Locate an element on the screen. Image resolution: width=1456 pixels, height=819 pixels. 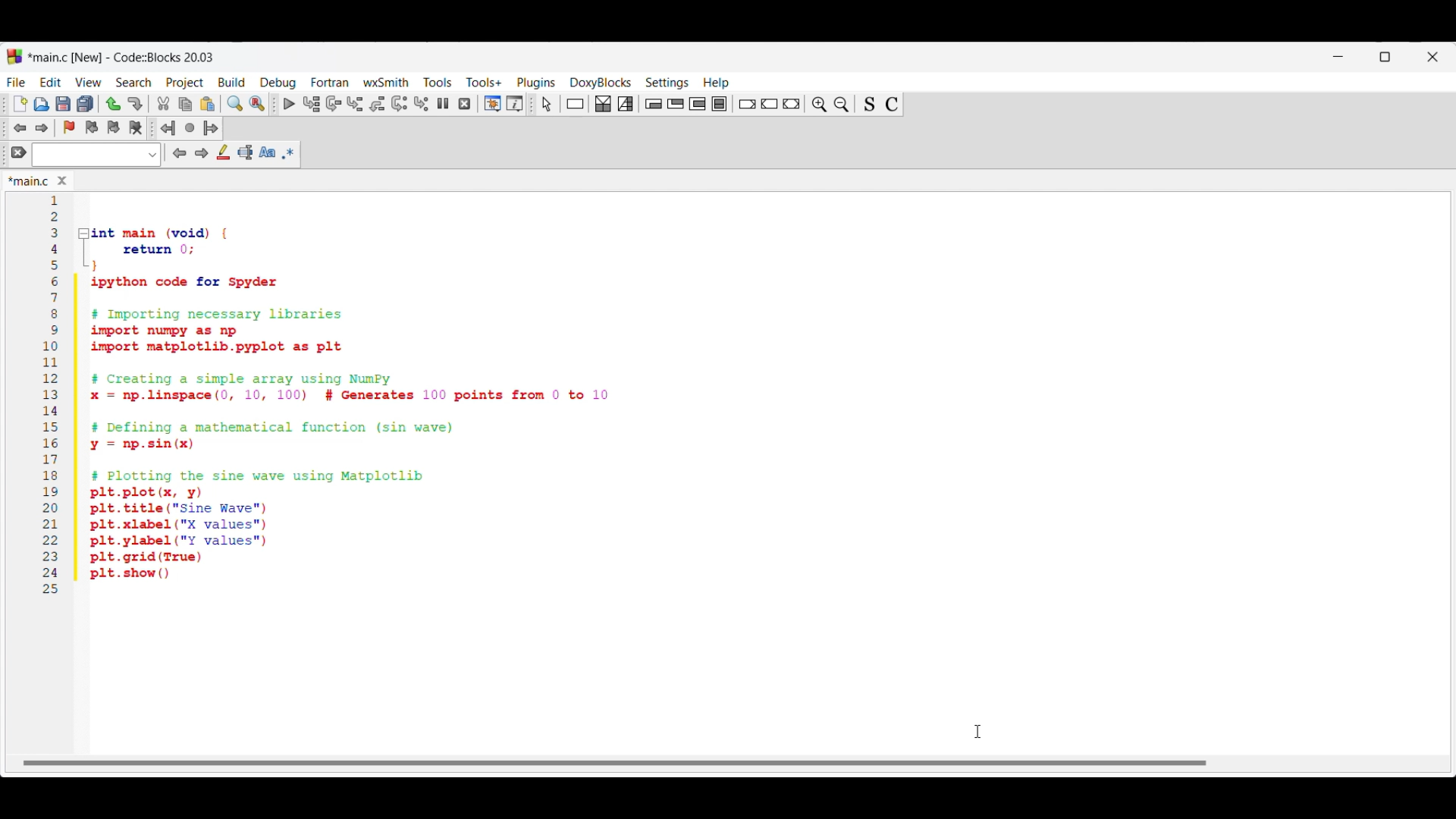
Zoom in is located at coordinates (819, 105).